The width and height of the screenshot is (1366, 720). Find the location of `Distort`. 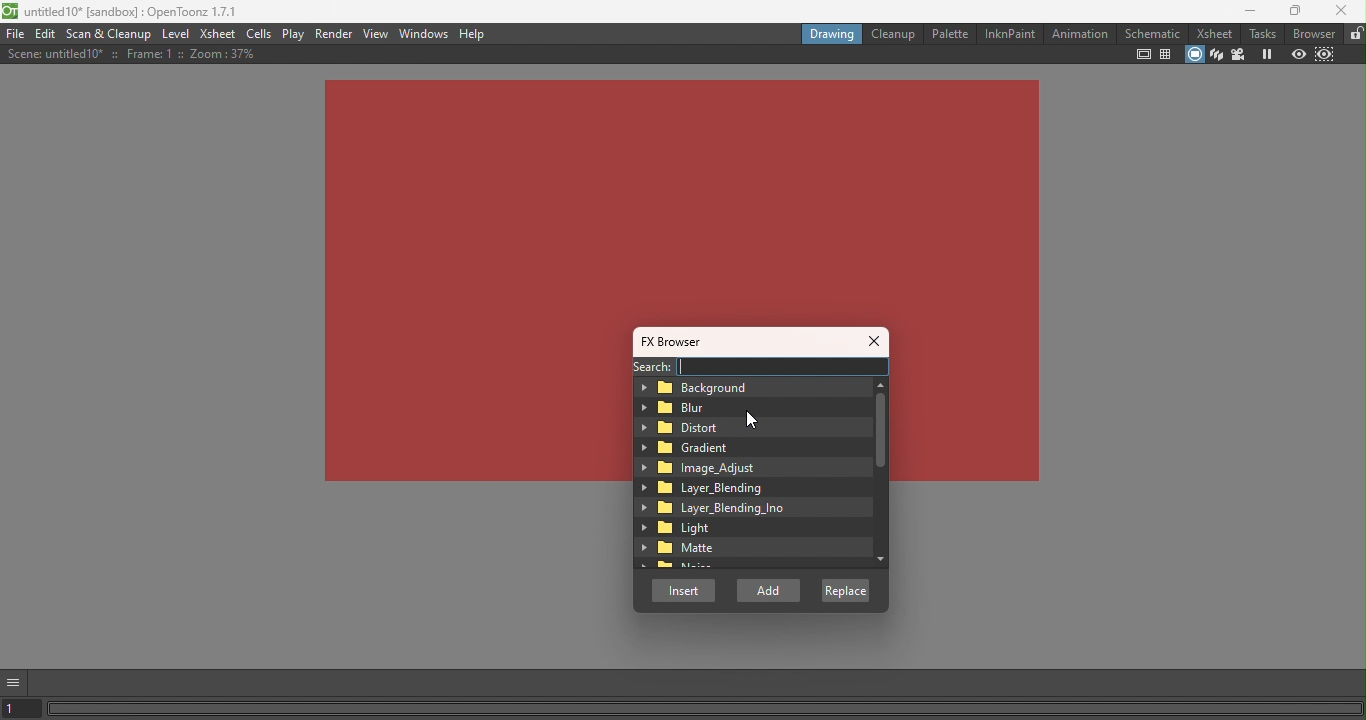

Distort is located at coordinates (686, 426).